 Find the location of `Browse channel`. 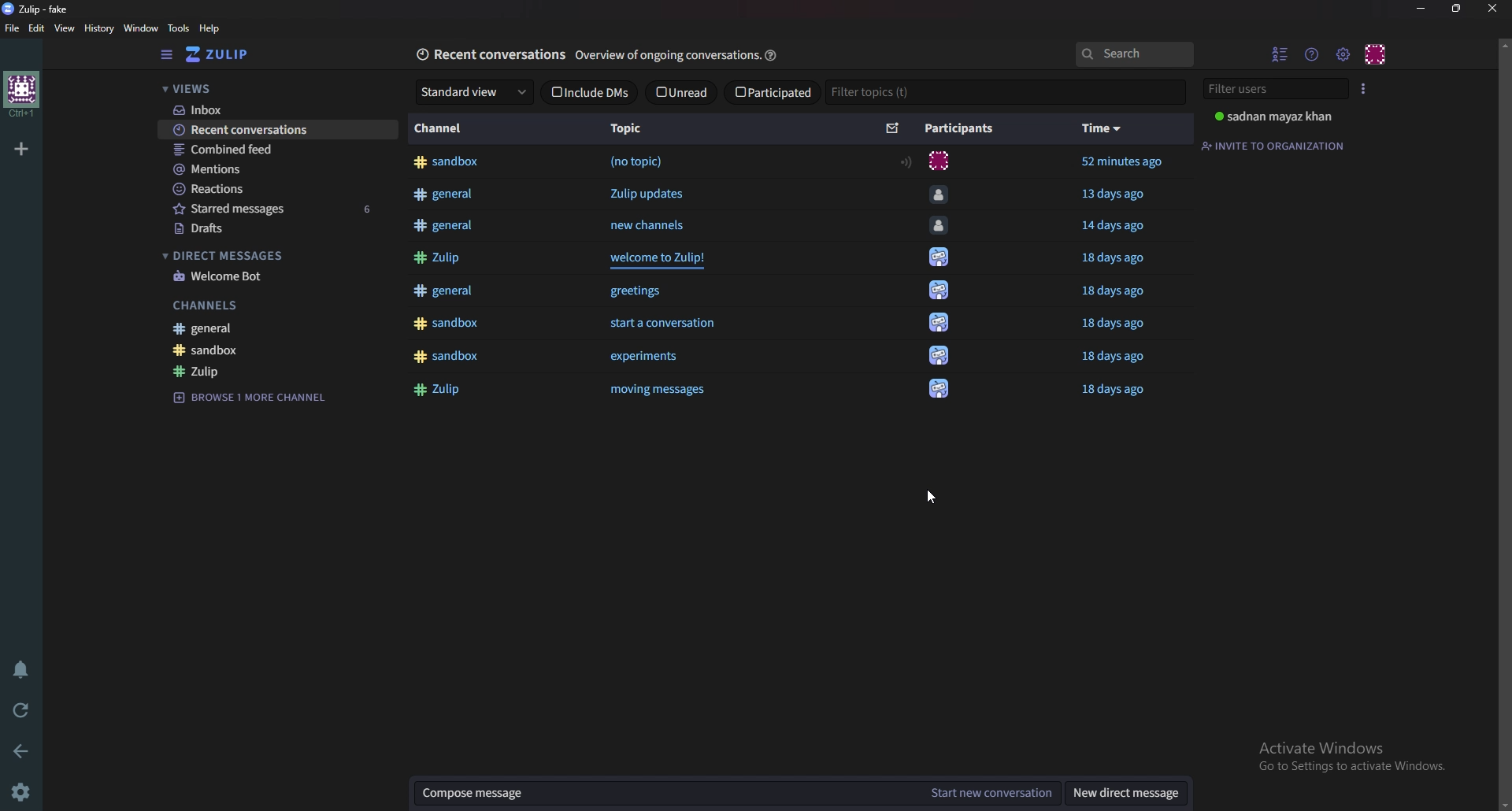

Browse channel is located at coordinates (251, 398).